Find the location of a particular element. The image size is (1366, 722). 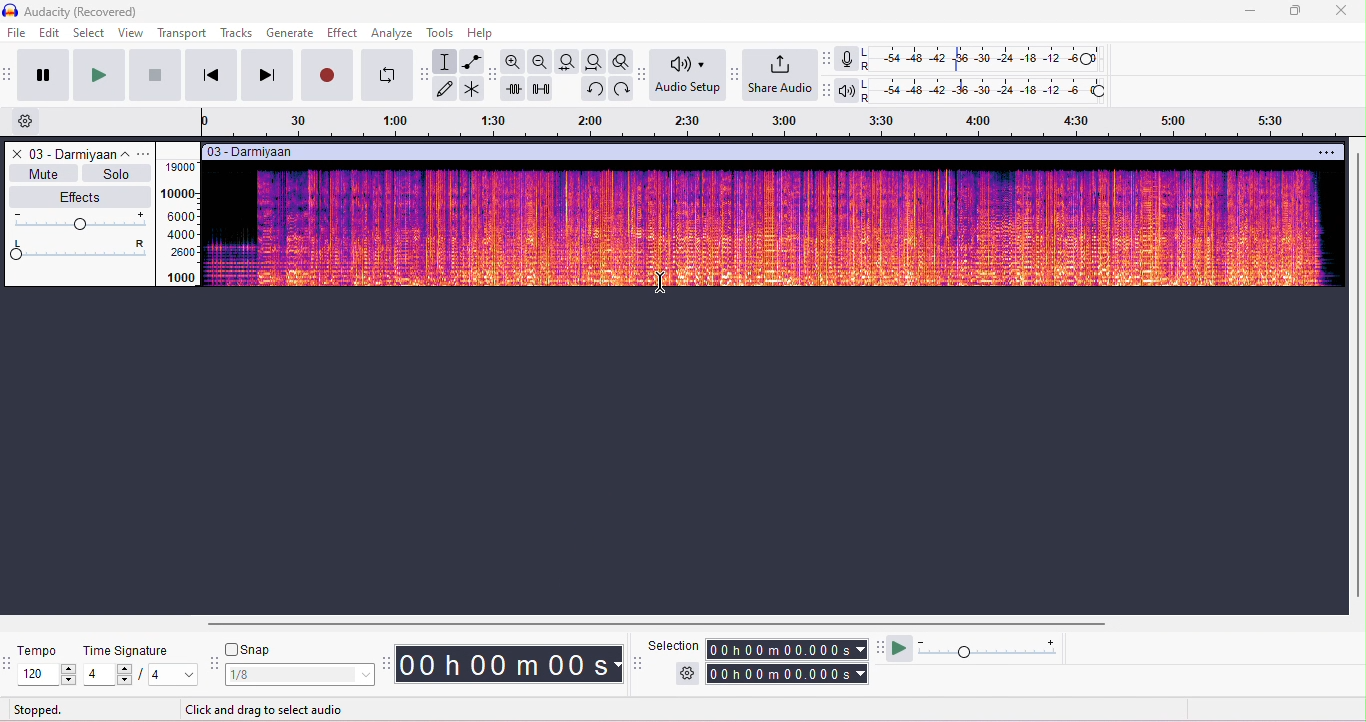

stopped is located at coordinates (40, 709).